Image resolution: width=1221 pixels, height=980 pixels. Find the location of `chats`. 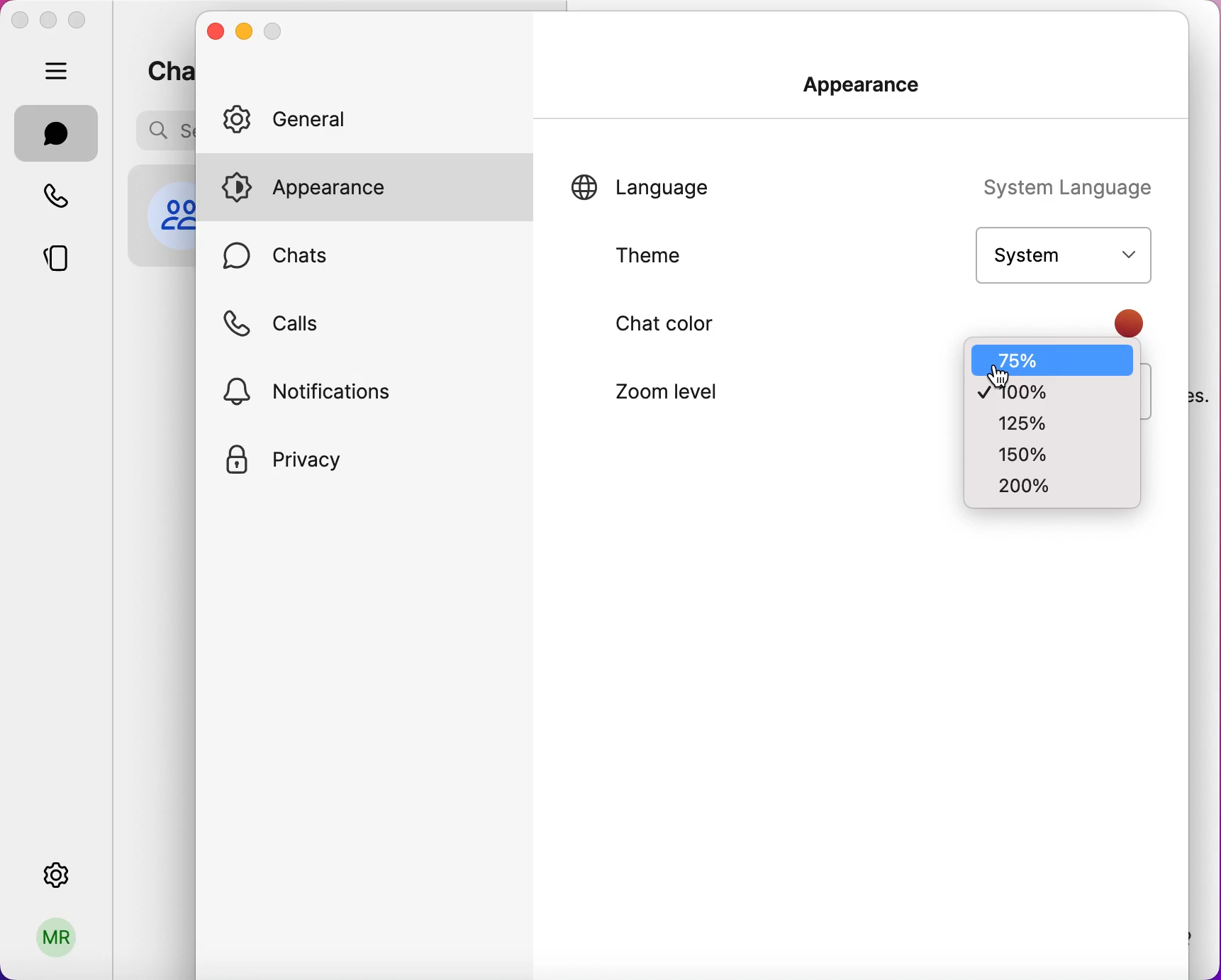

chats is located at coordinates (291, 257).